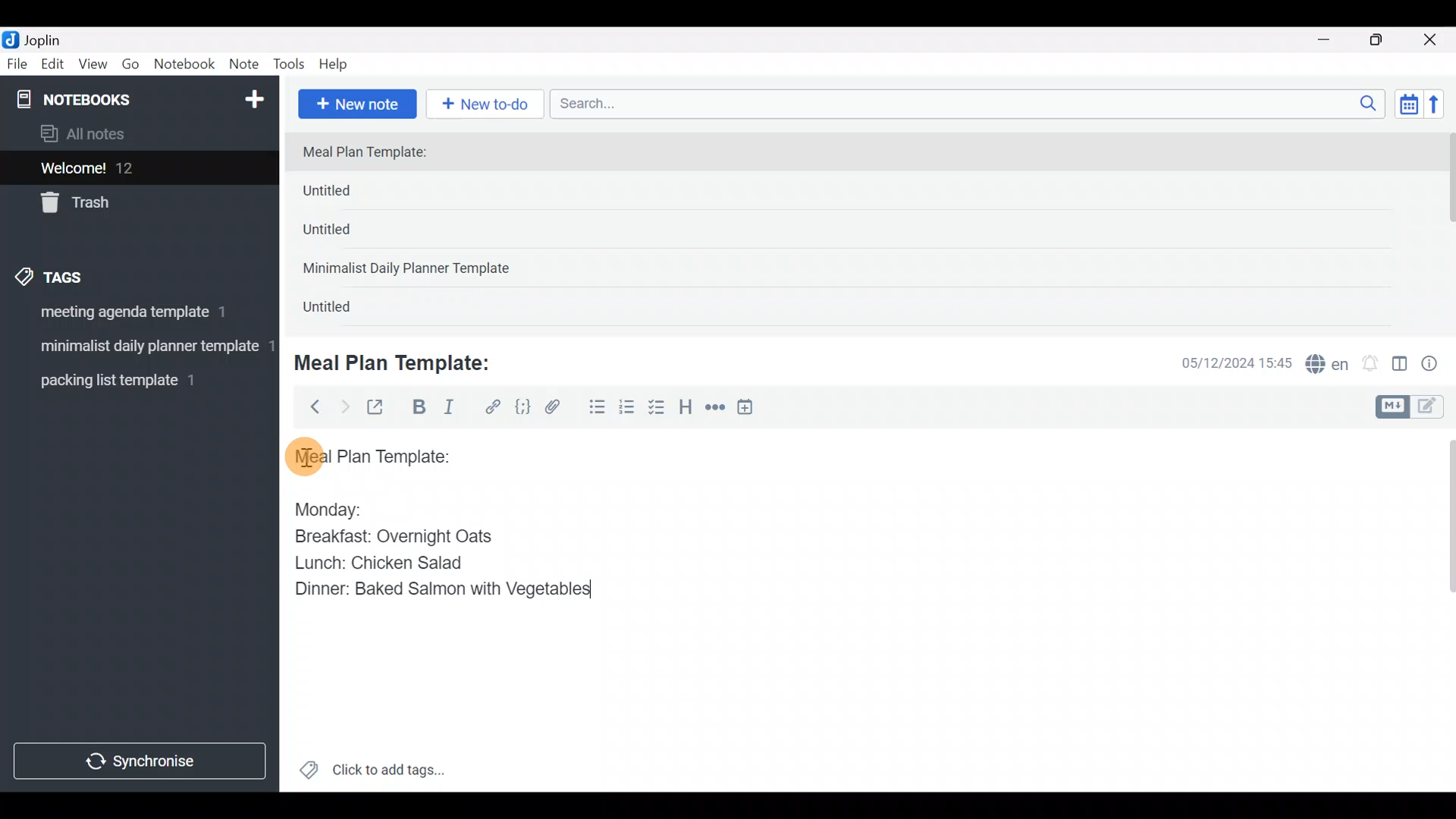 The width and height of the screenshot is (1456, 819). What do you see at coordinates (135, 316) in the screenshot?
I see `Tag 1` at bounding box center [135, 316].